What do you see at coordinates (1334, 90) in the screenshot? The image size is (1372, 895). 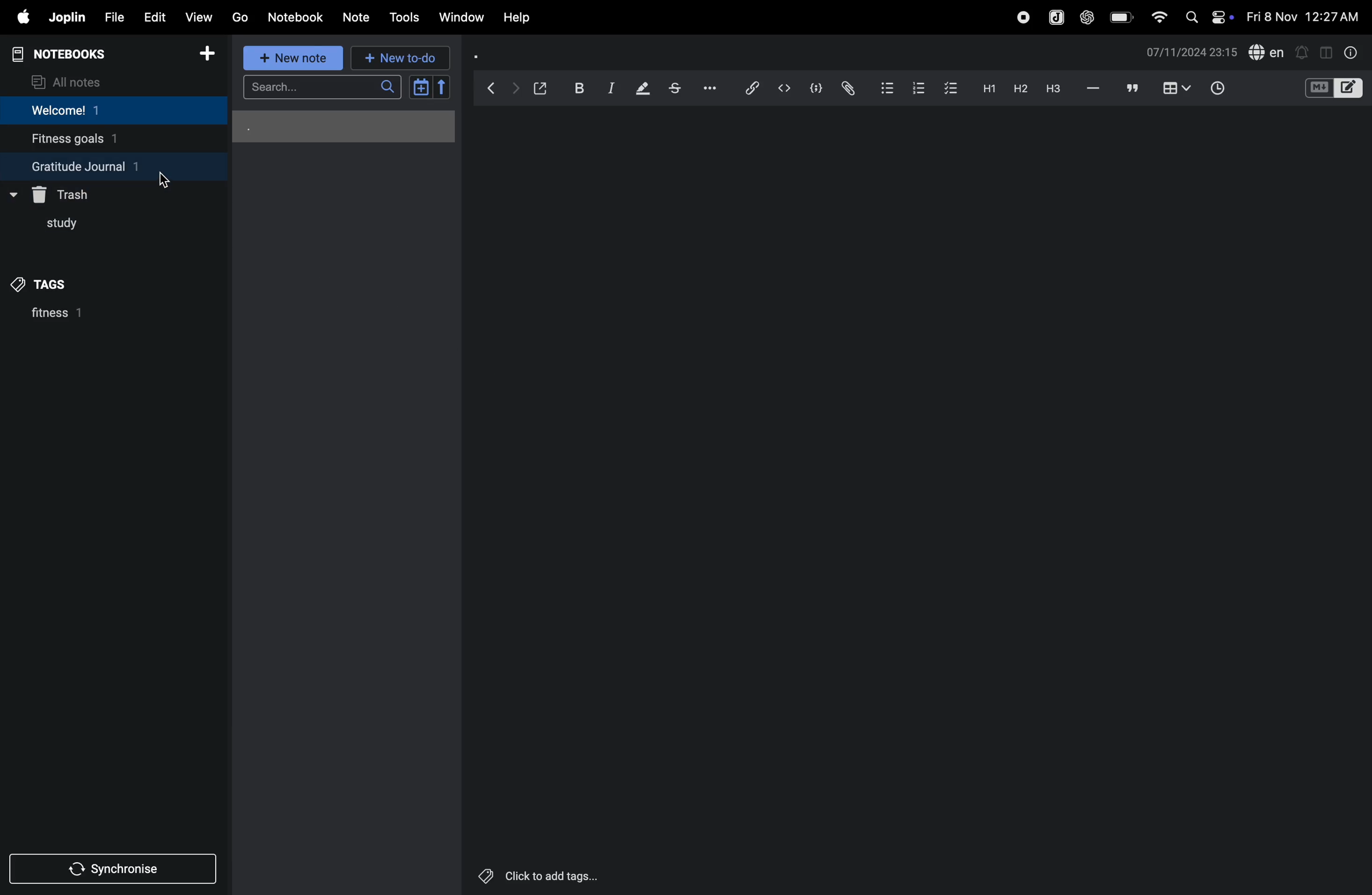 I see `toogle editor` at bounding box center [1334, 90].